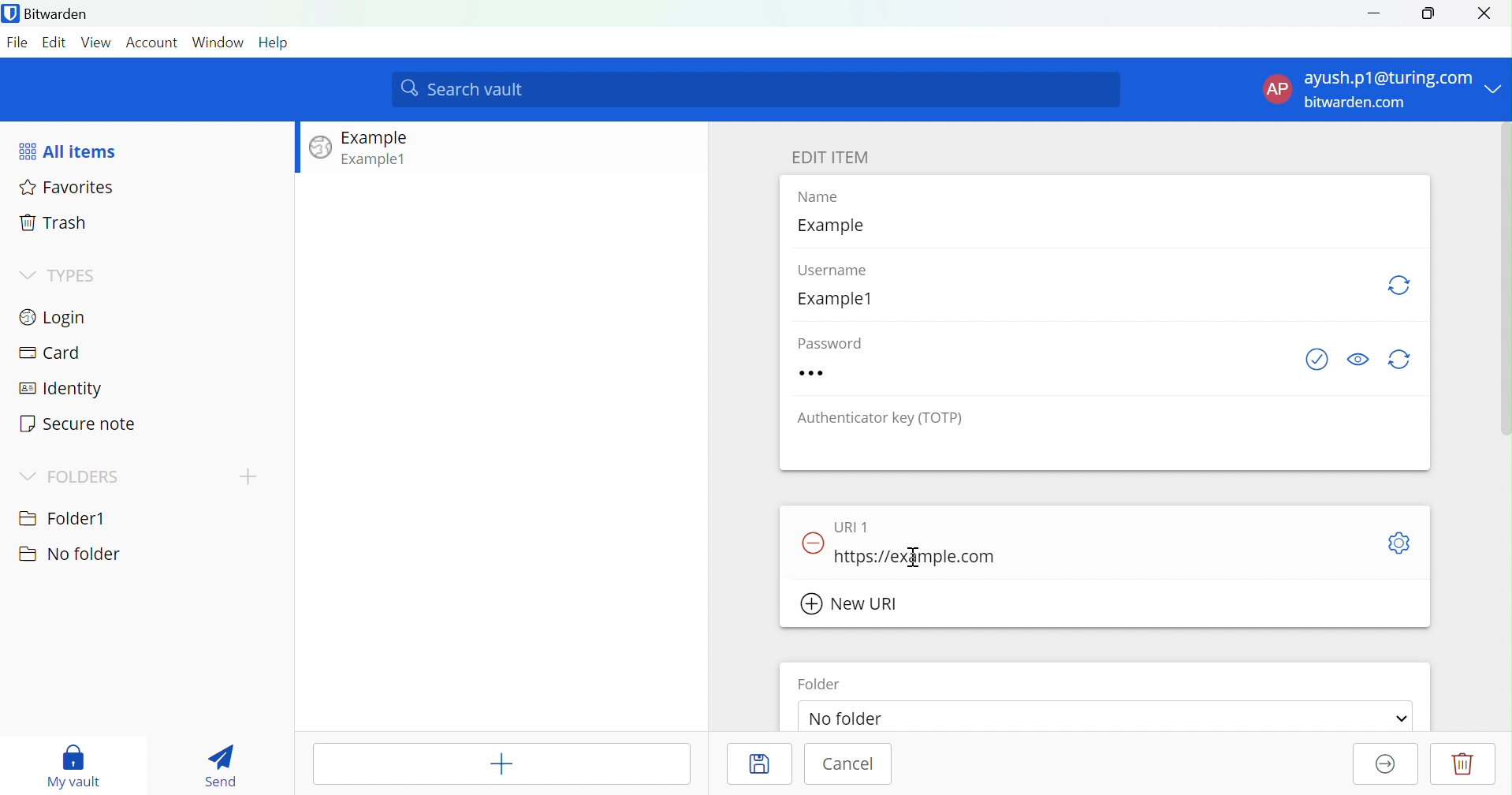 This screenshot has height=795, width=1512. I want to click on Check if password has been exposed., so click(1316, 360).